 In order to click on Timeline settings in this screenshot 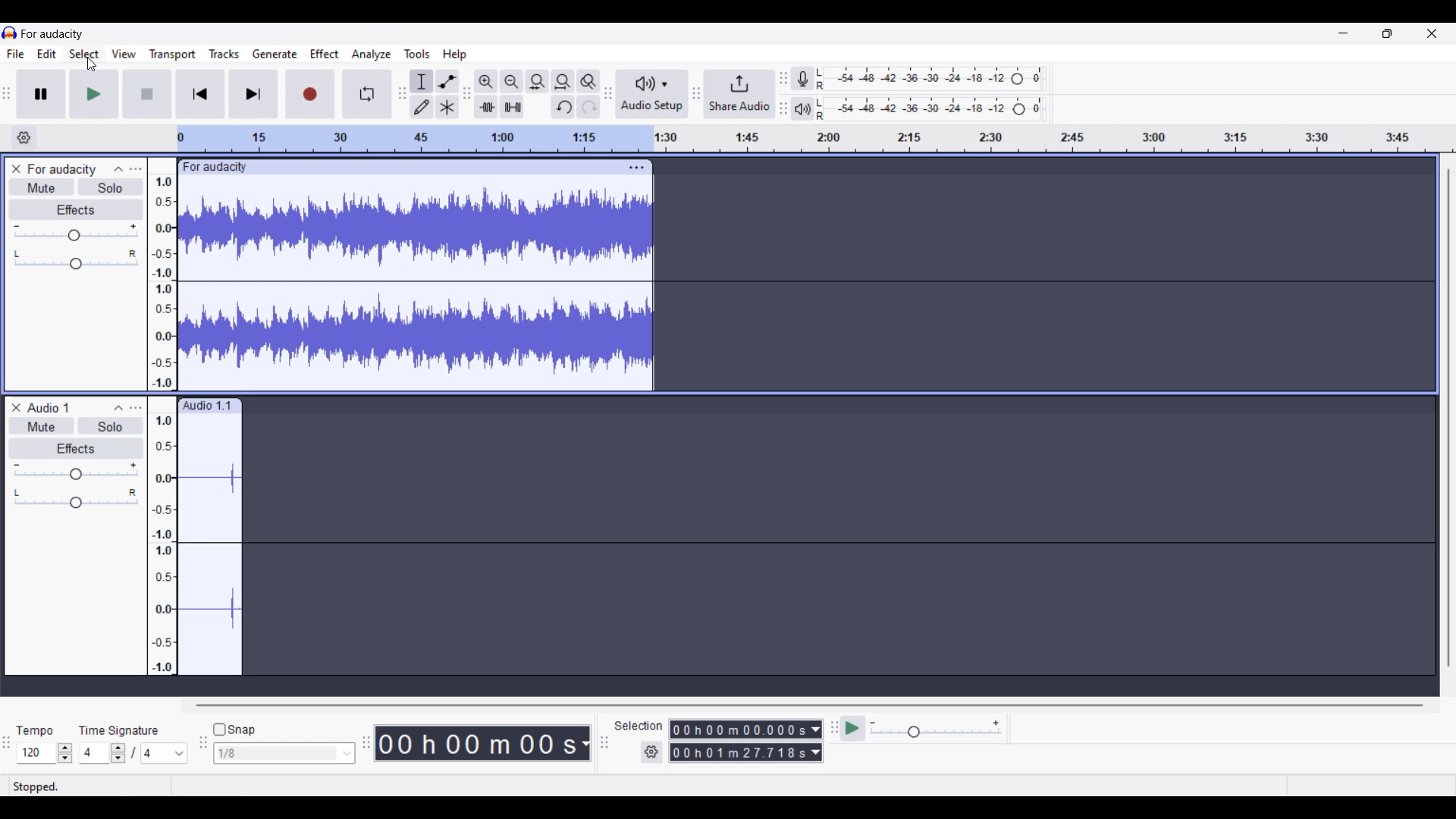, I will do `click(24, 138)`.